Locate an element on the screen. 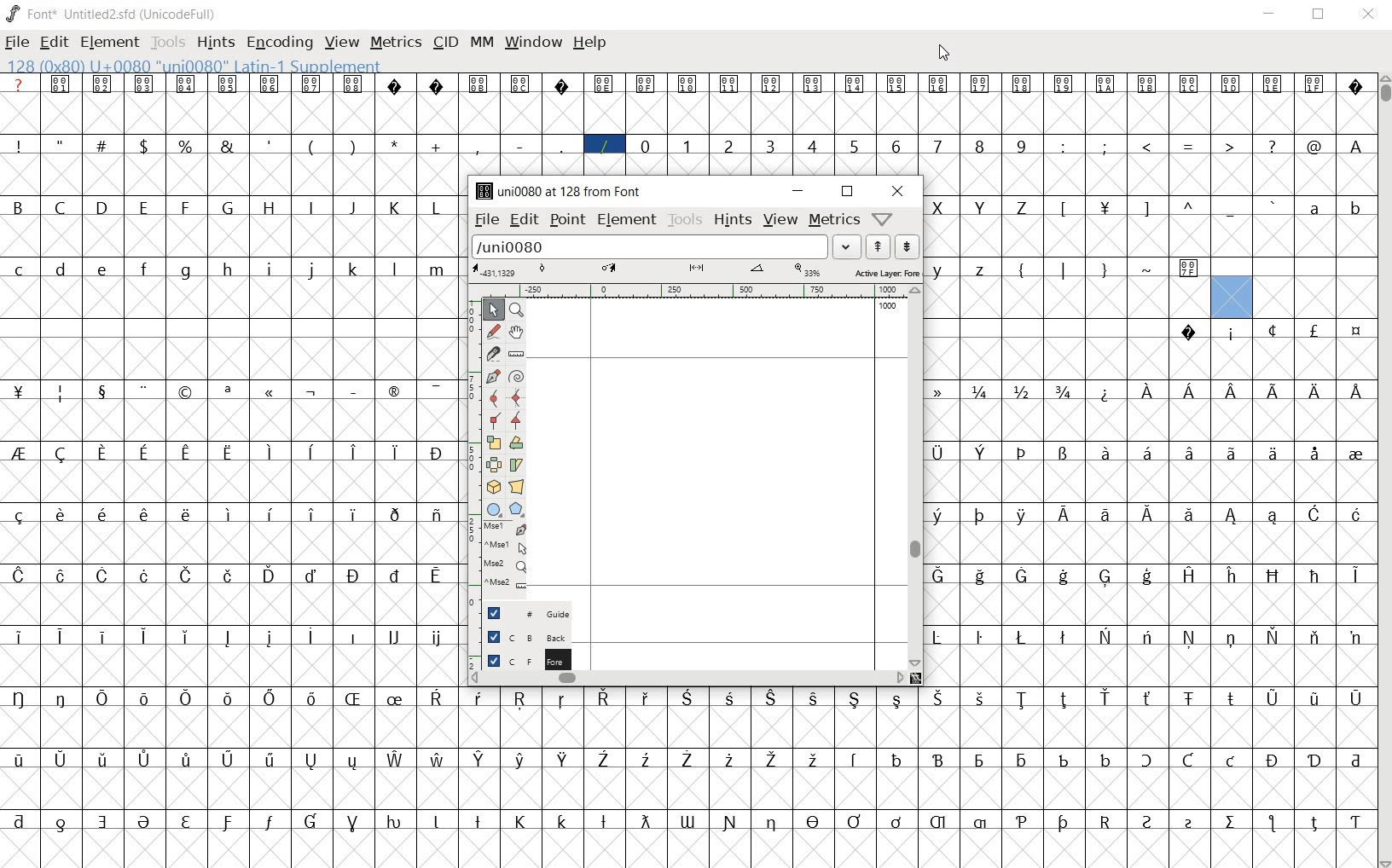 This screenshot has width=1392, height=868. glyph is located at coordinates (814, 821).